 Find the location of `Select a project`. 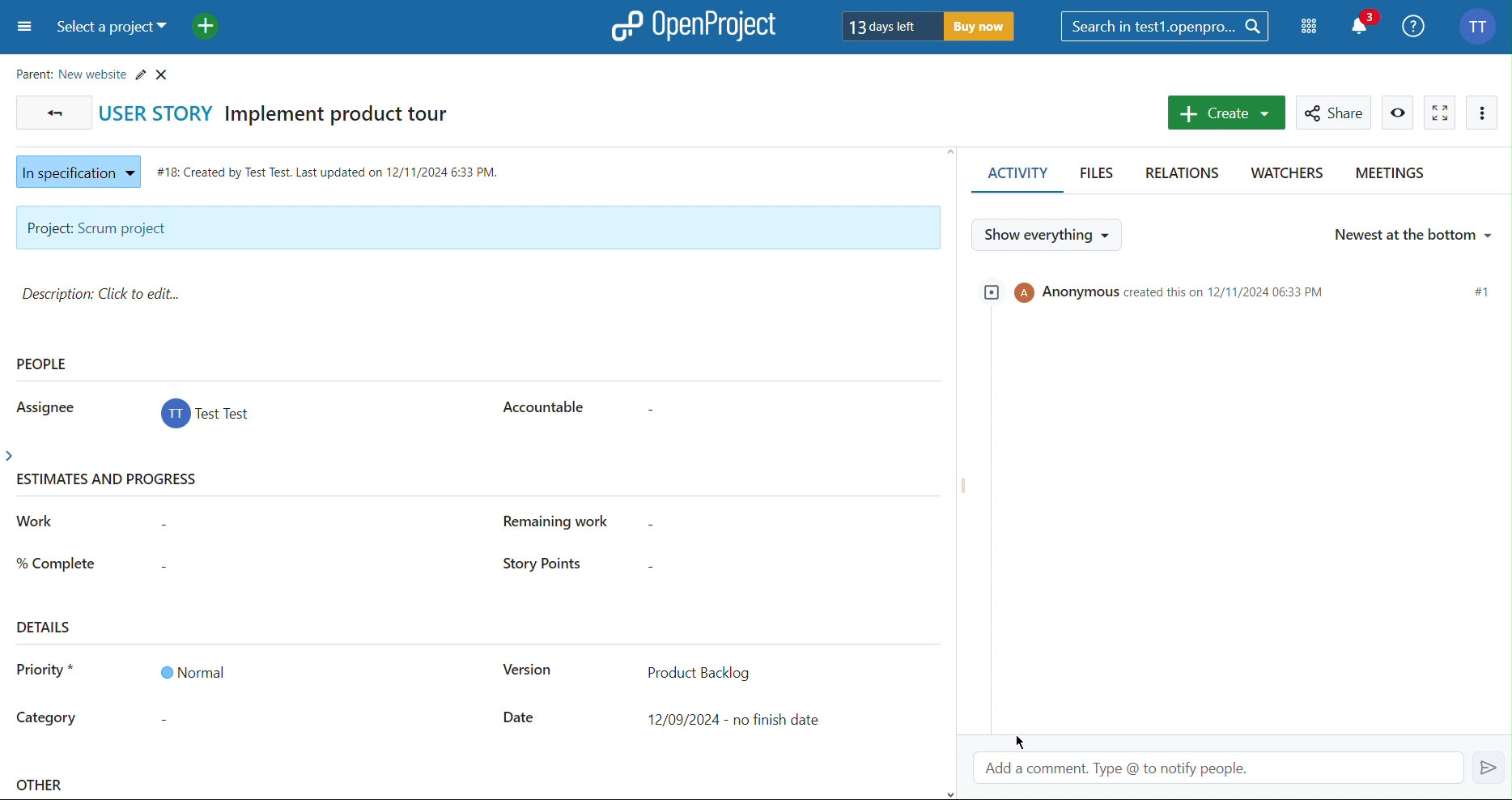

Select a project is located at coordinates (113, 28).